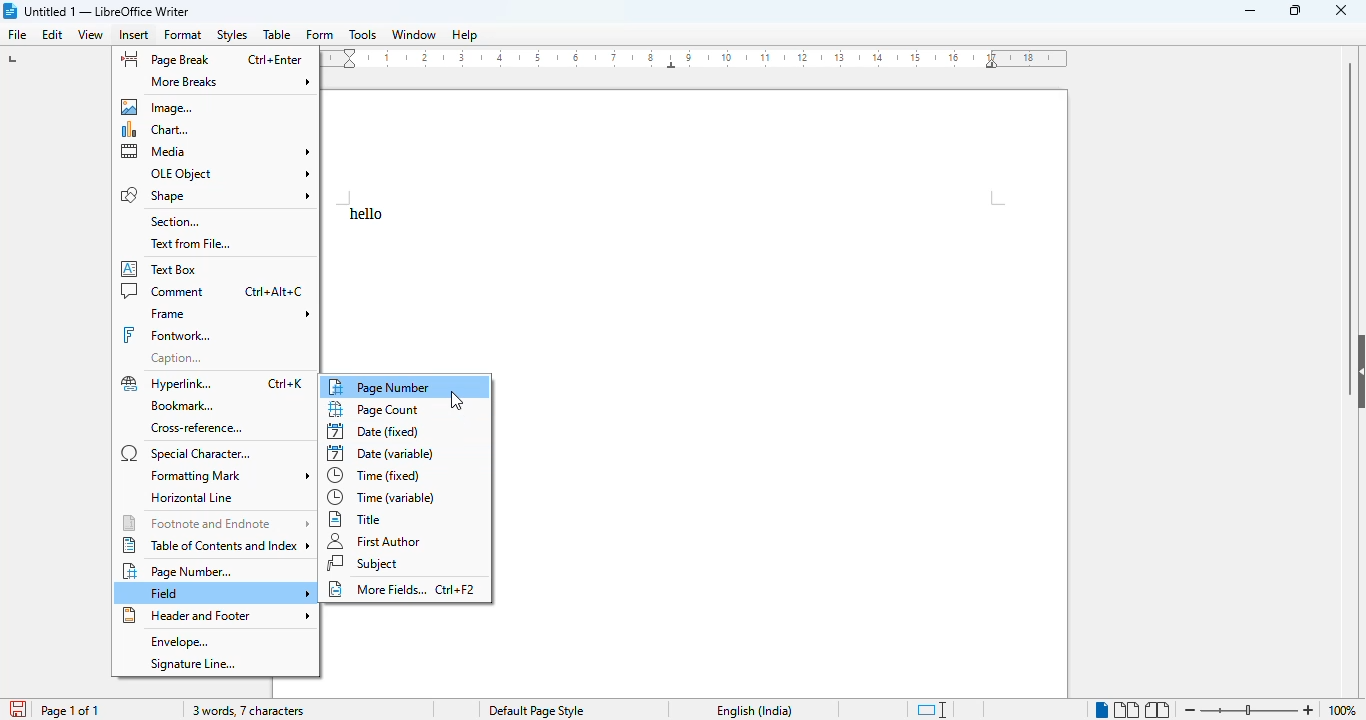  I want to click on zoom out, so click(1190, 709).